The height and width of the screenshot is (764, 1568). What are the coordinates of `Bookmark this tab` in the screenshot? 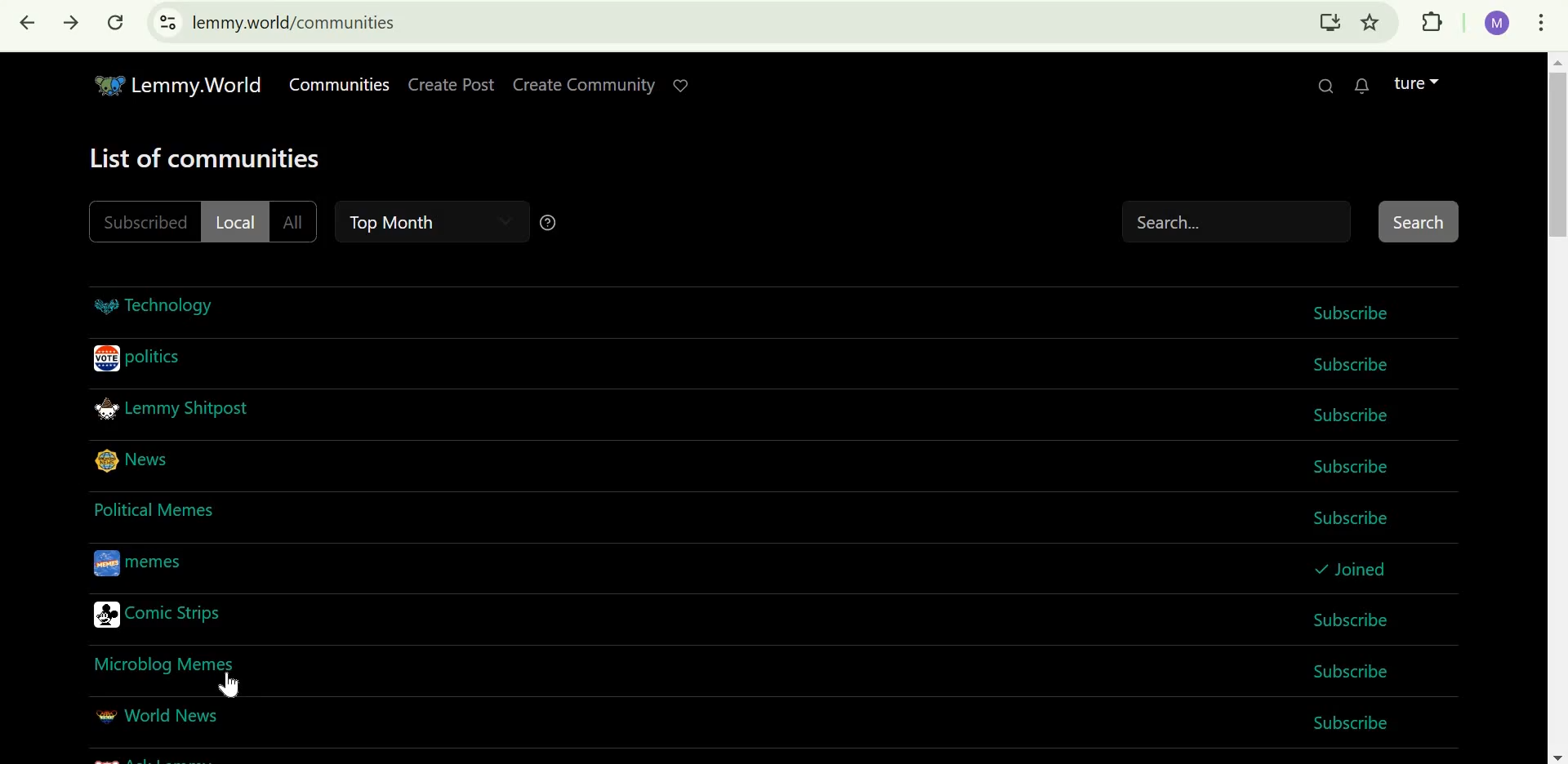 It's located at (1370, 23).